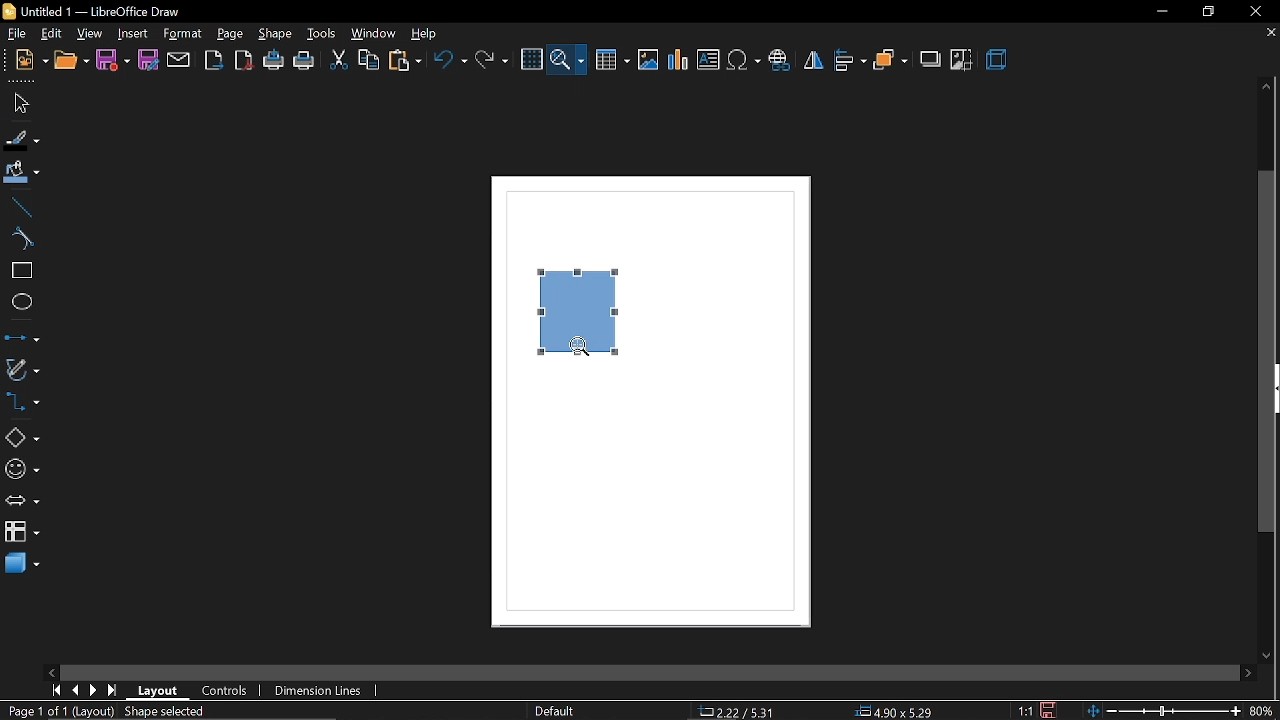  What do you see at coordinates (214, 61) in the screenshot?
I see `export ` at bounding box center [214, 61].